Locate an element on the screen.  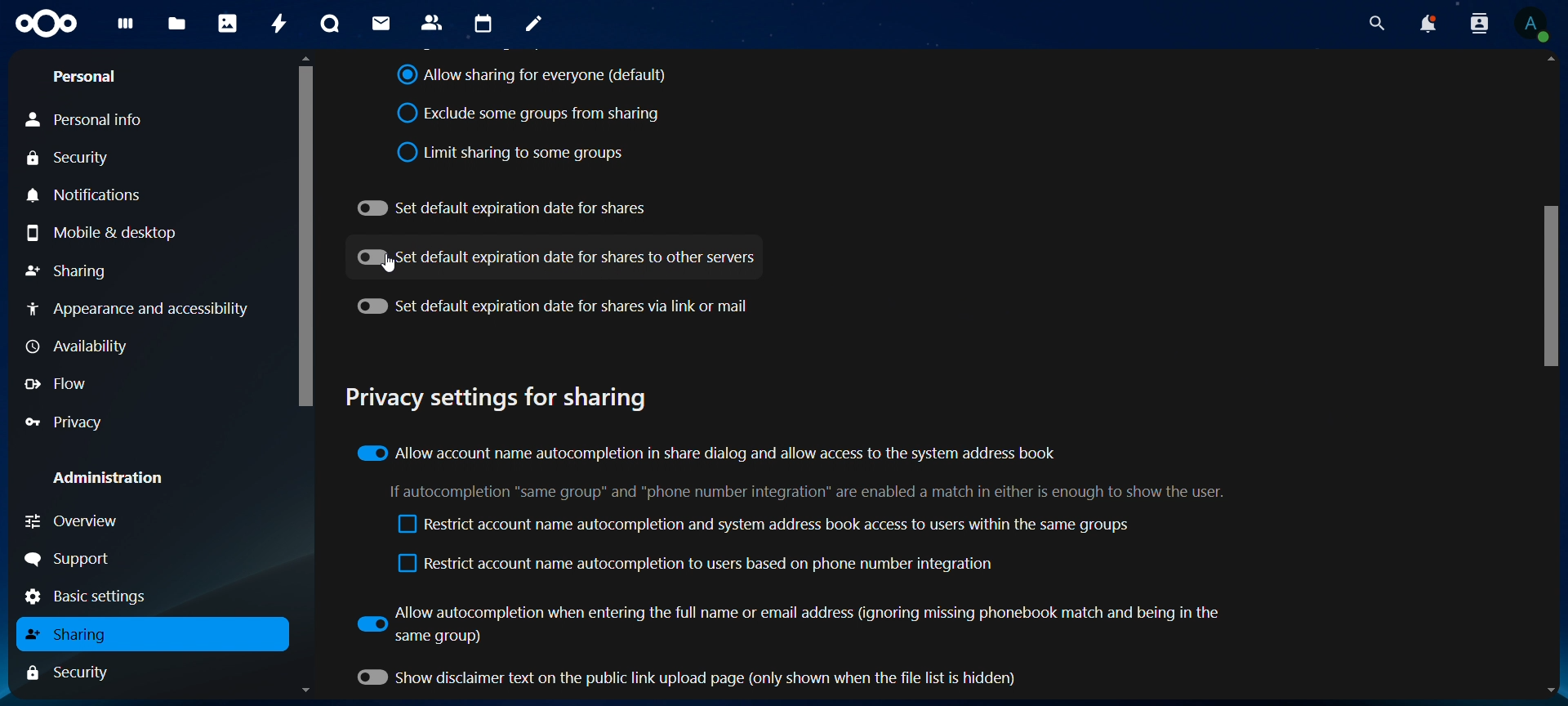
sharing is located at coordinates (75, 636).